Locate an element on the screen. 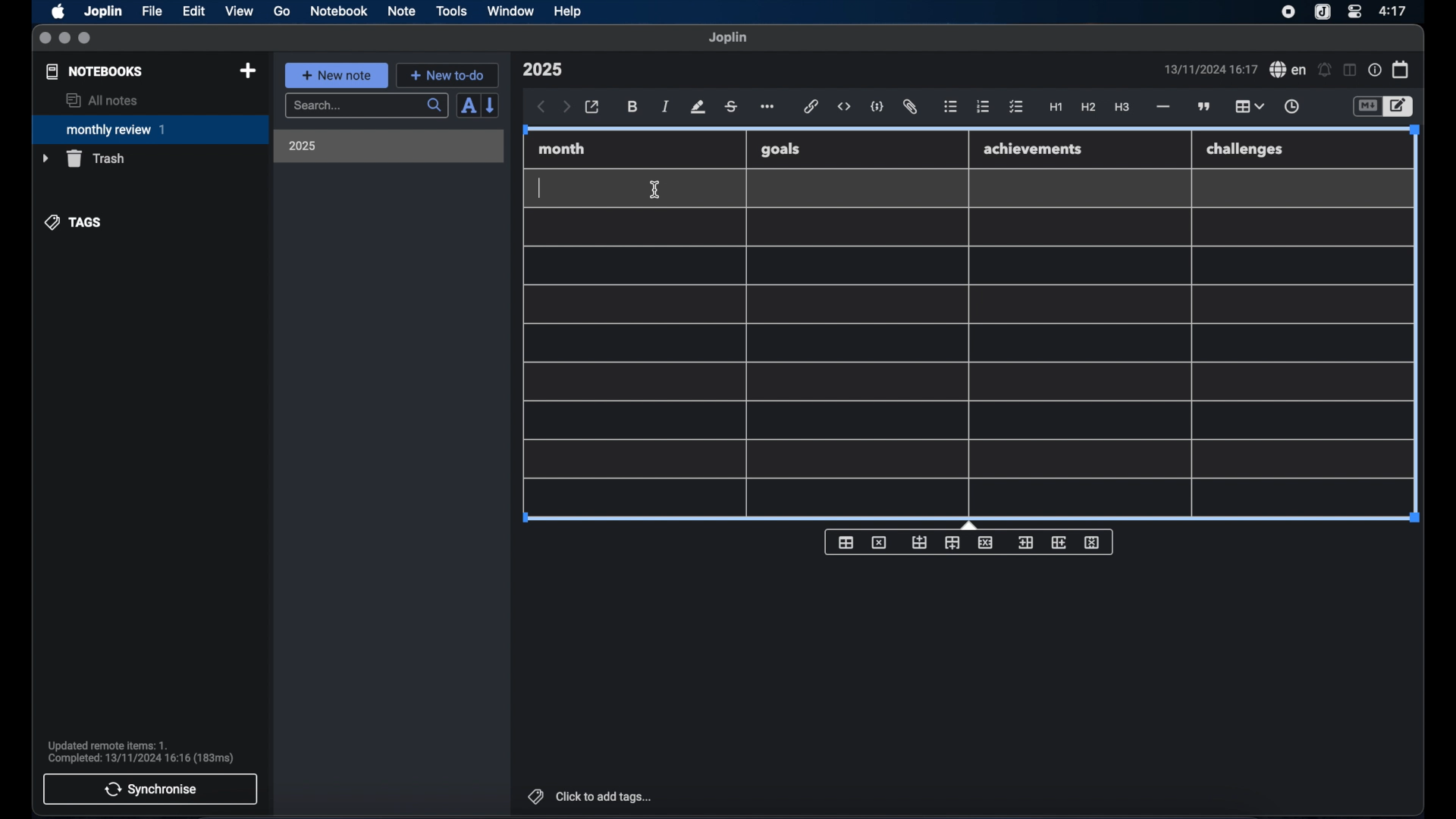 This screenshot has height=819, width=1456. insert table is located at coordinates (846, 542).